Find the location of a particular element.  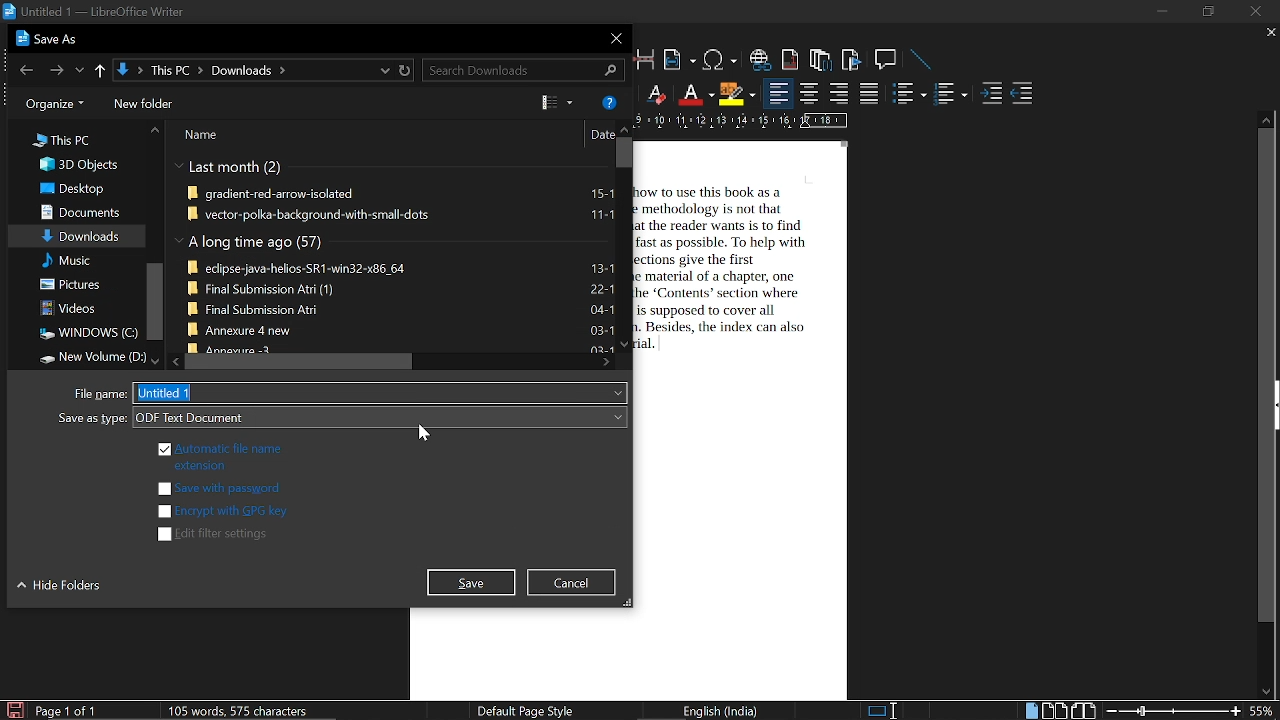

Cursor is located at coordinates (425, 434).